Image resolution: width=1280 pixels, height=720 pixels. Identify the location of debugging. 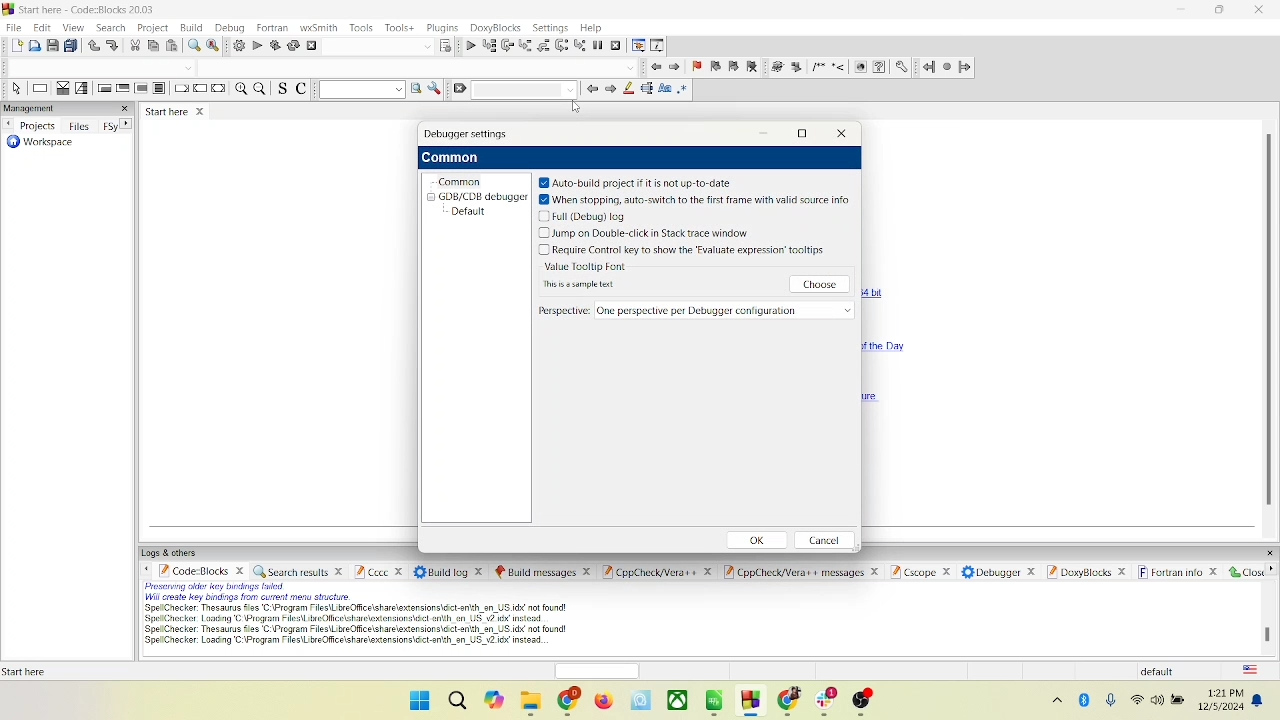
(639, 44).